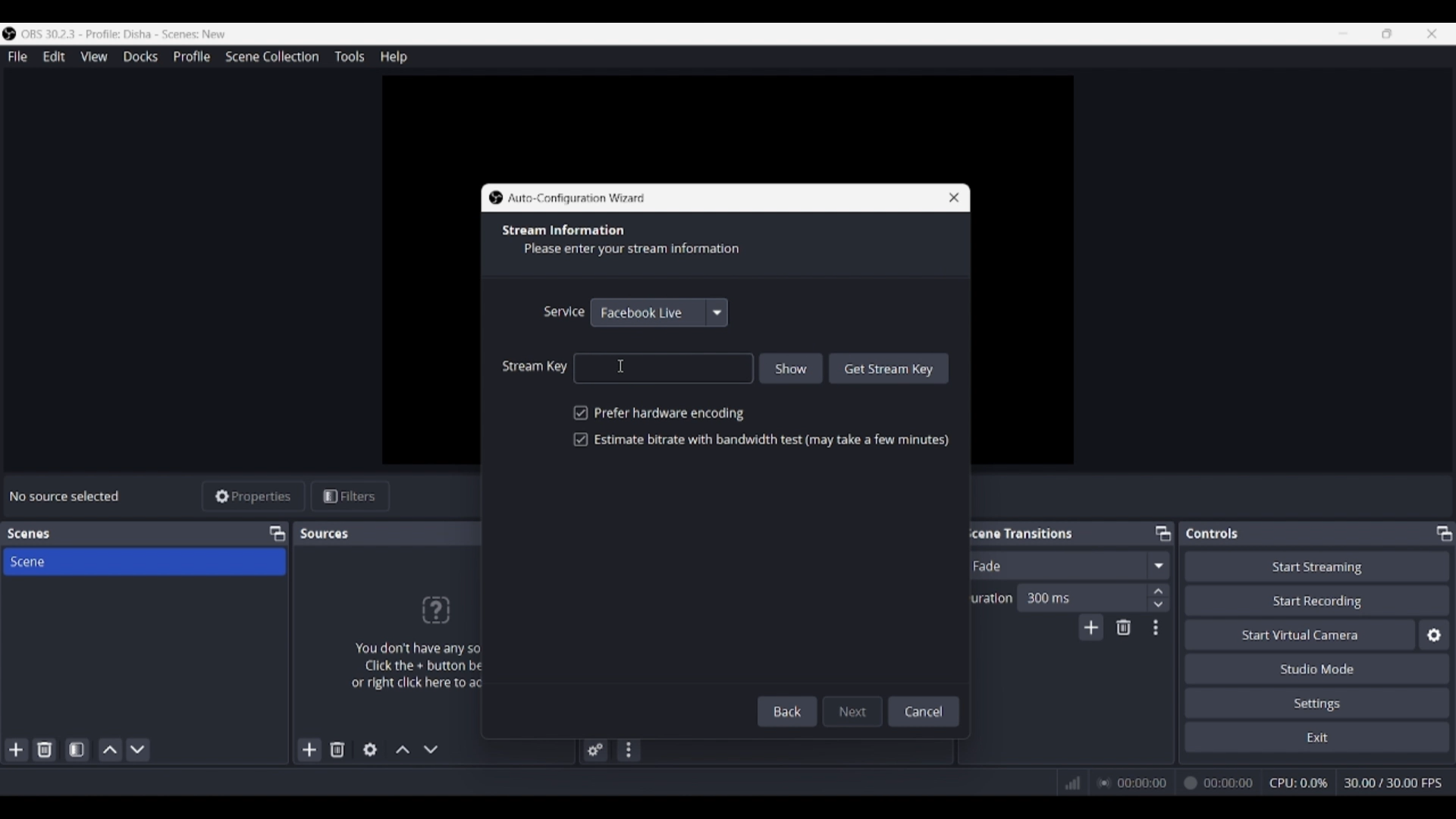 This screenshot has width=1456, height=819. Describe the element at coordinates (349, 56) in the screenshot. I see `Tools menu` at that location.